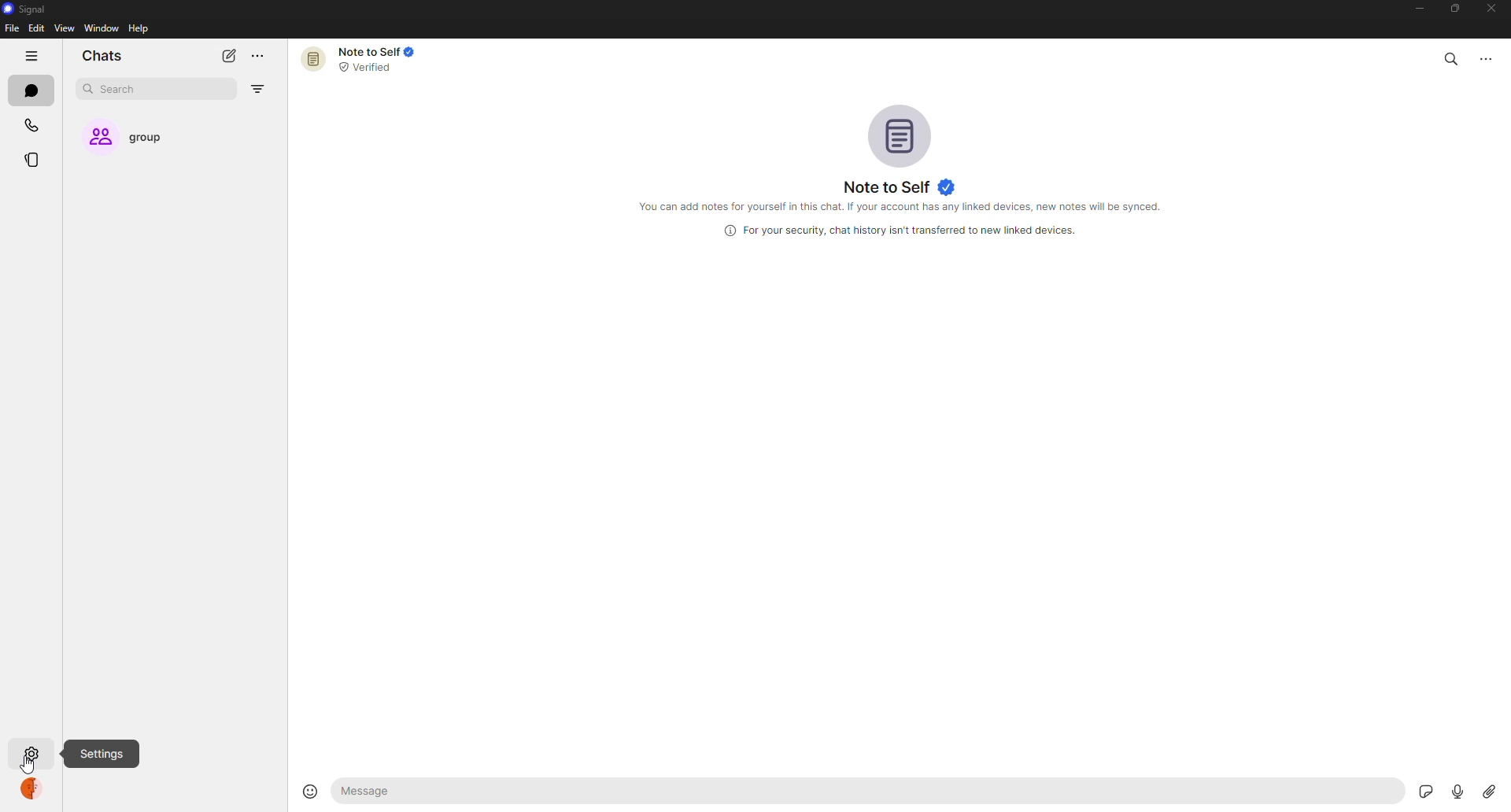 The image size is (1511, 812). I want to click on info, so click(907, 209).